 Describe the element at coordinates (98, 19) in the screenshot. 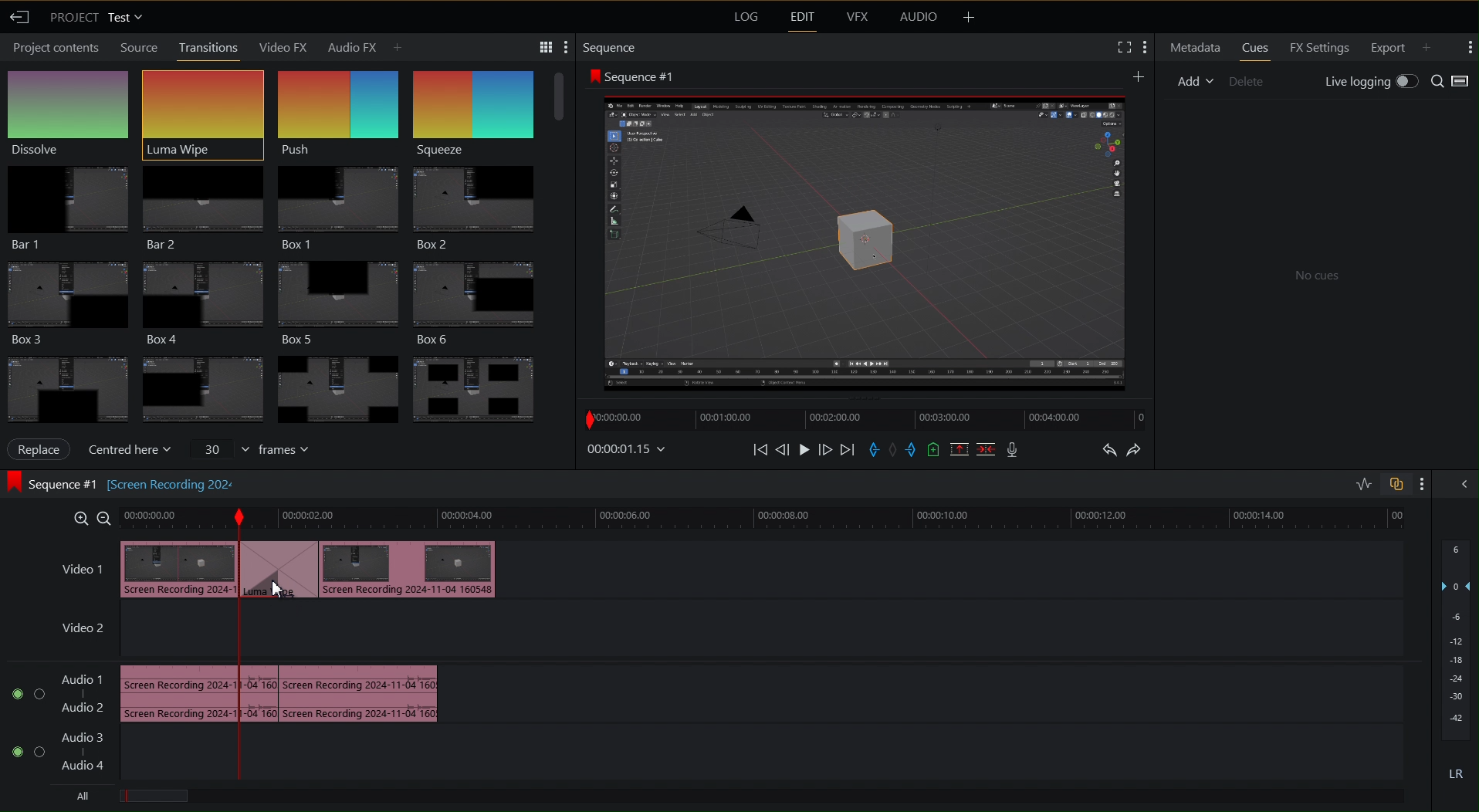

I see `Project Test` at that location.